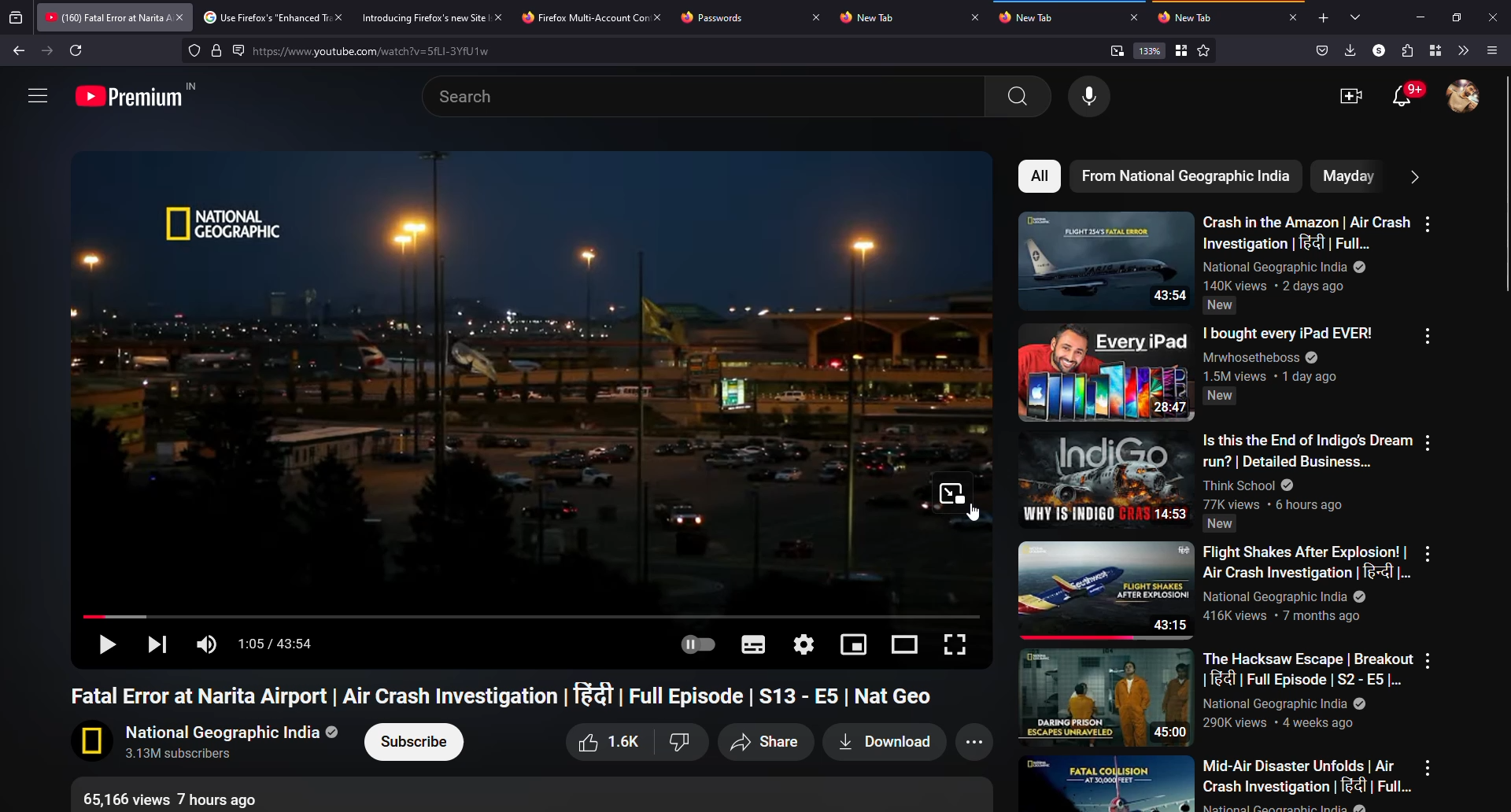 The image size is (1511, 812). Describe the element at coordinates (1408, 96) in the screenshot. I see `otifications` at that location.